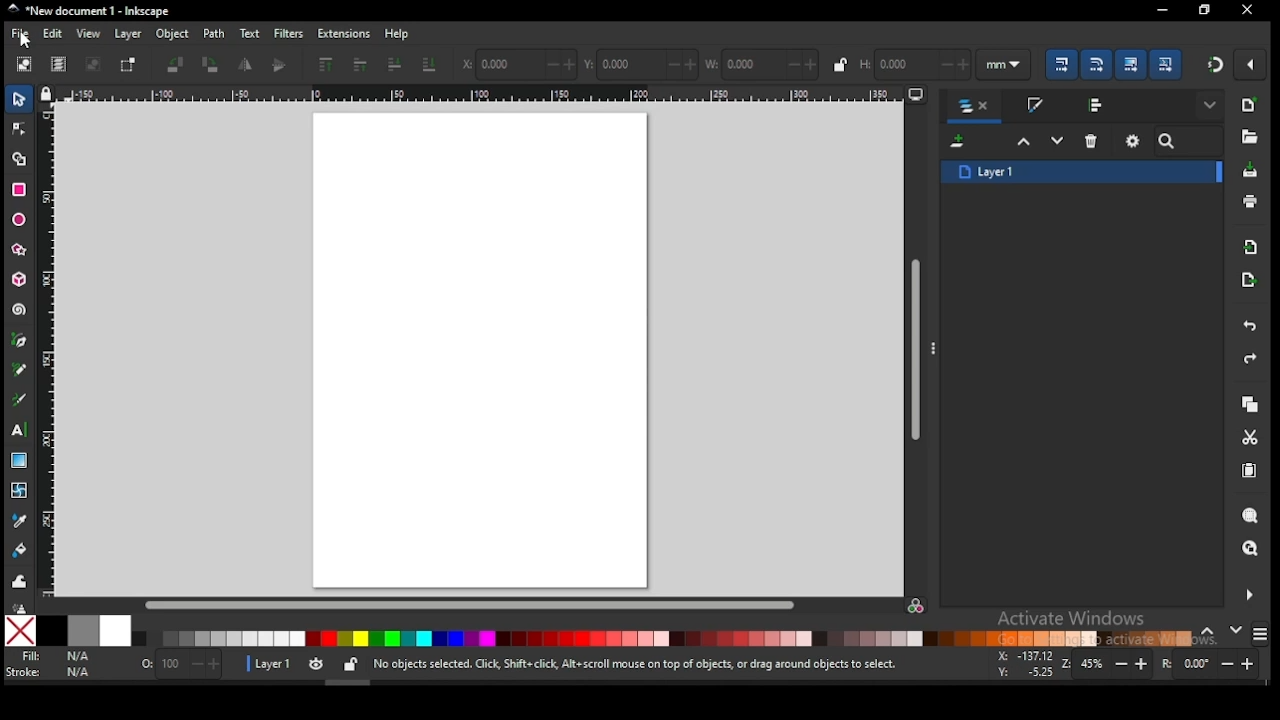  Describe the element at coordinates (20, 581) in the screenshot. I see `tweak tool` at that location.